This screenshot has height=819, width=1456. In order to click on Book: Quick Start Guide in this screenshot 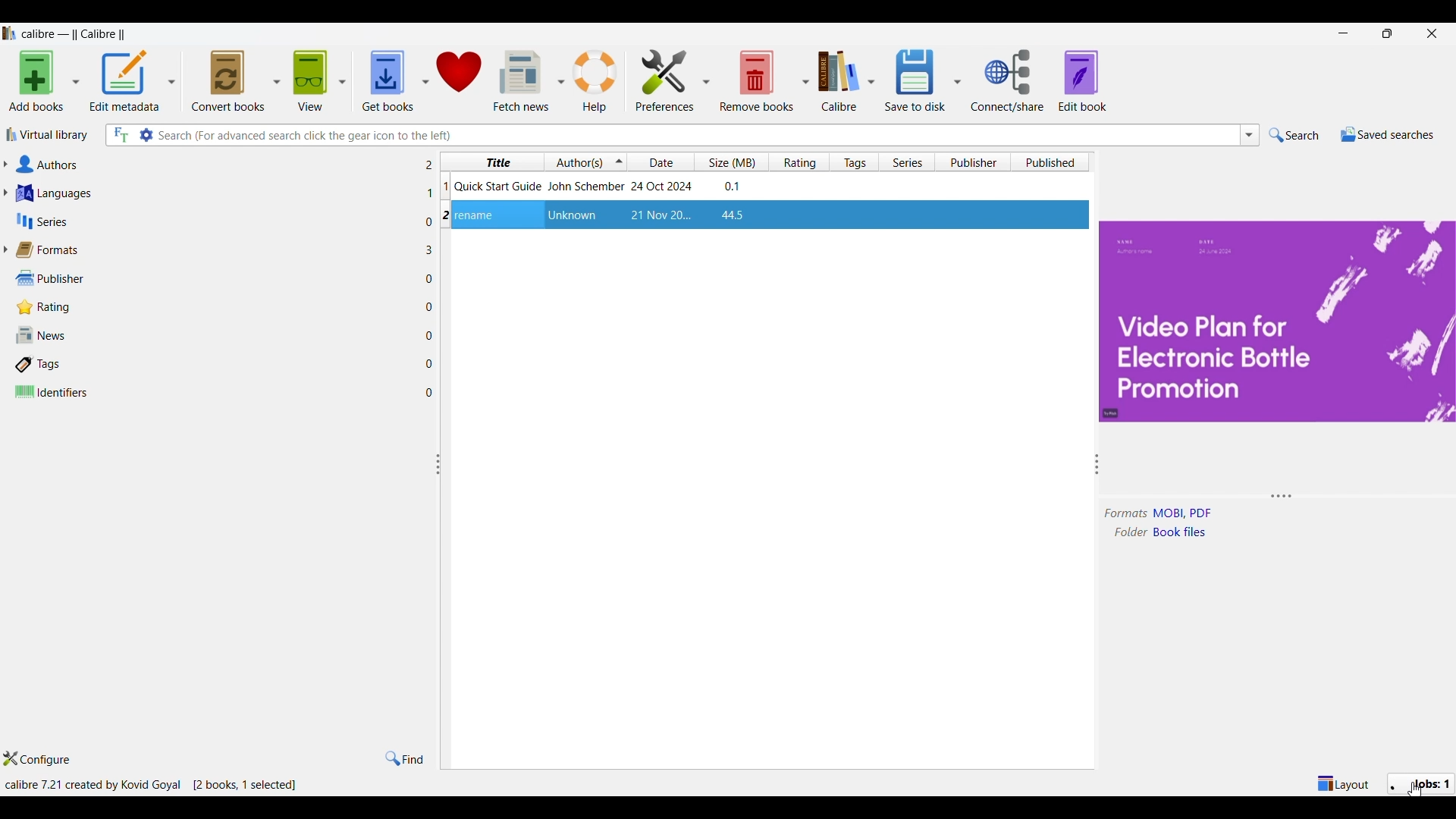, I will do `click(599, 185)`.